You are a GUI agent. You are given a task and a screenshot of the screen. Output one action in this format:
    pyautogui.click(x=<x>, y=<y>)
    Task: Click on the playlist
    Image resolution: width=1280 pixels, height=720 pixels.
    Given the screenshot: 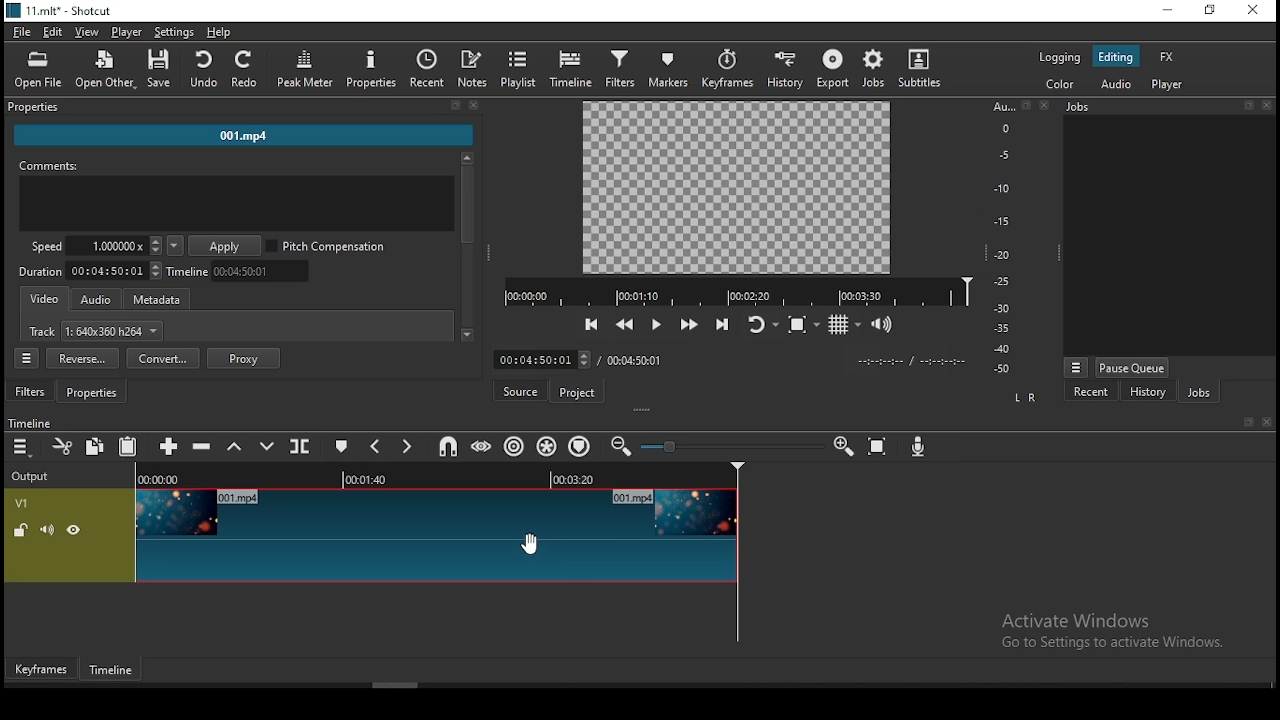 What is the action you would take?
    pyautogui.click(x=519, y=69)
    